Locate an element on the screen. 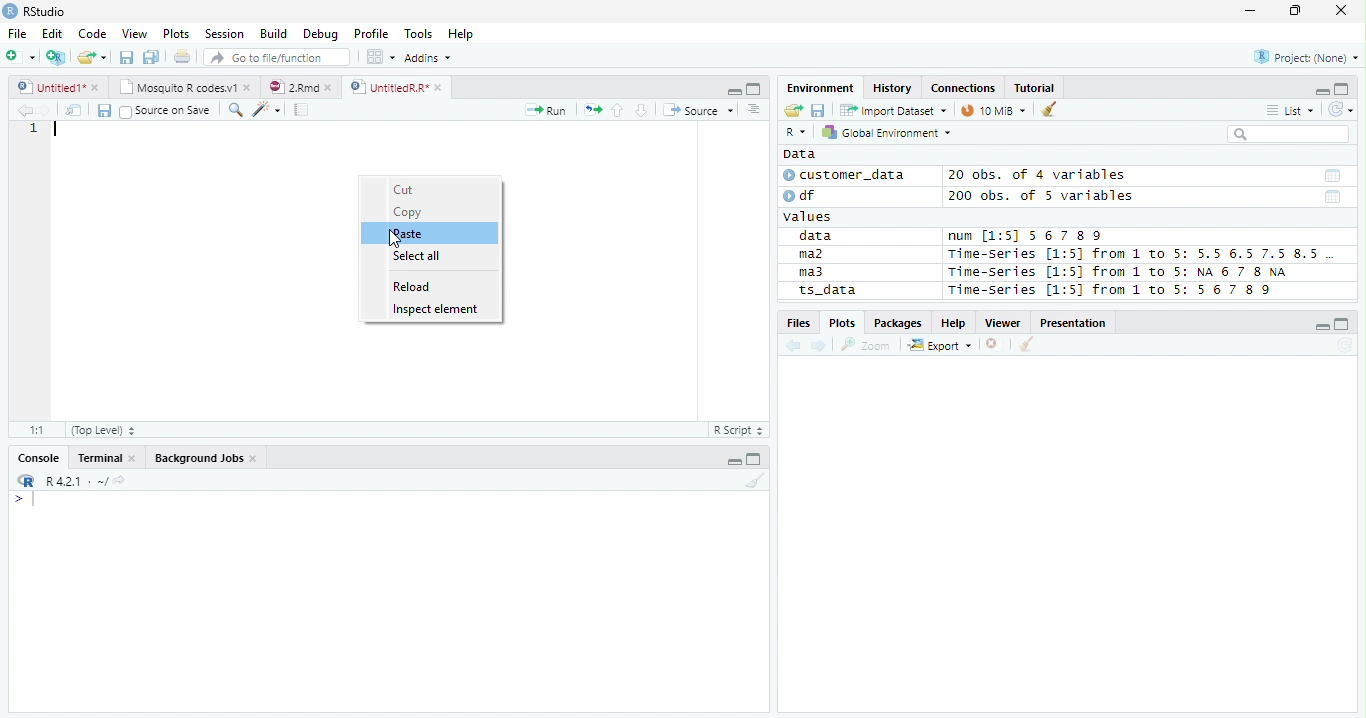  New File is located at coordinates (21, 56).